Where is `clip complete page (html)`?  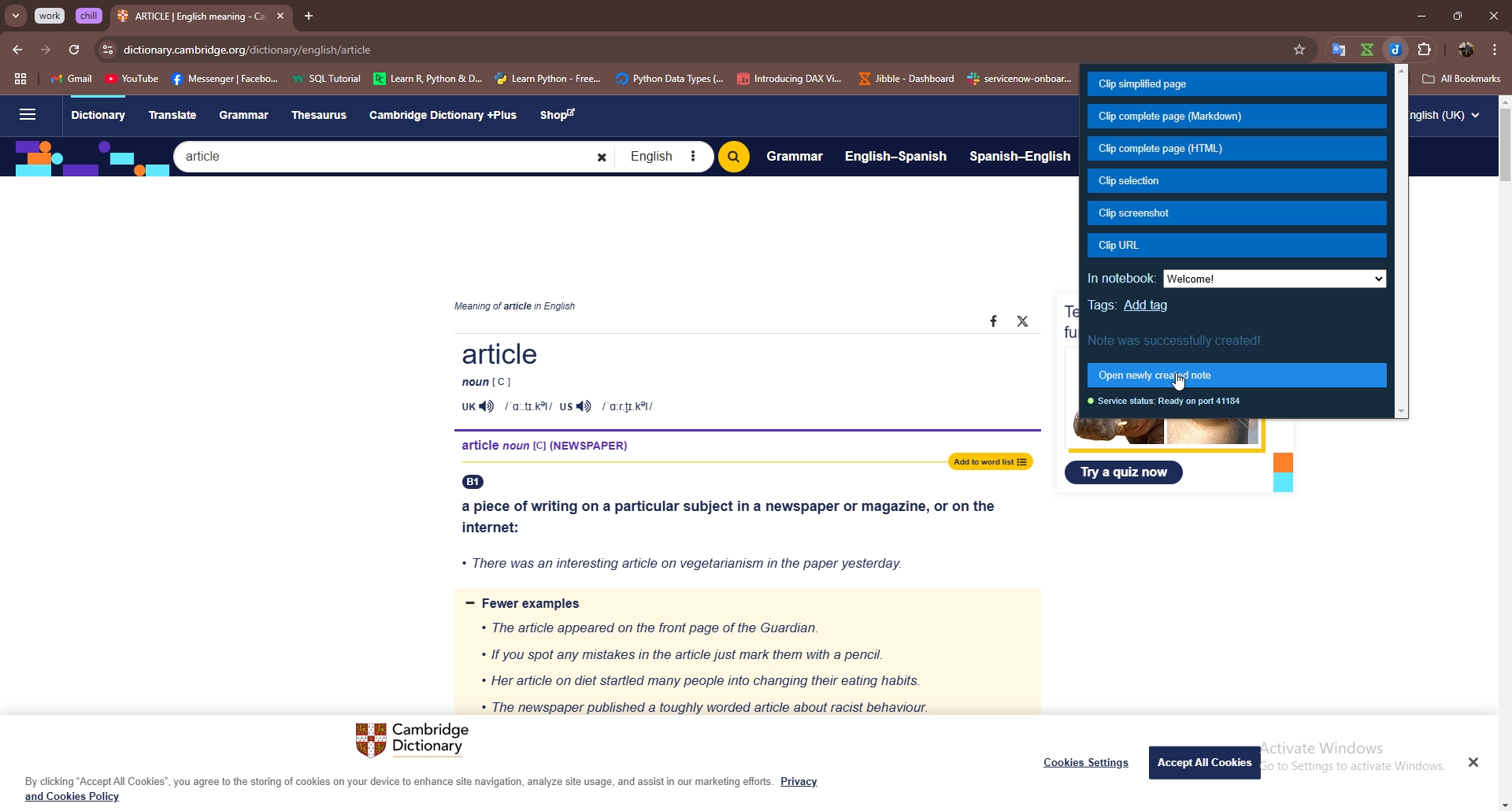
clip complete page (html) is located at coordinates (1238, 150).